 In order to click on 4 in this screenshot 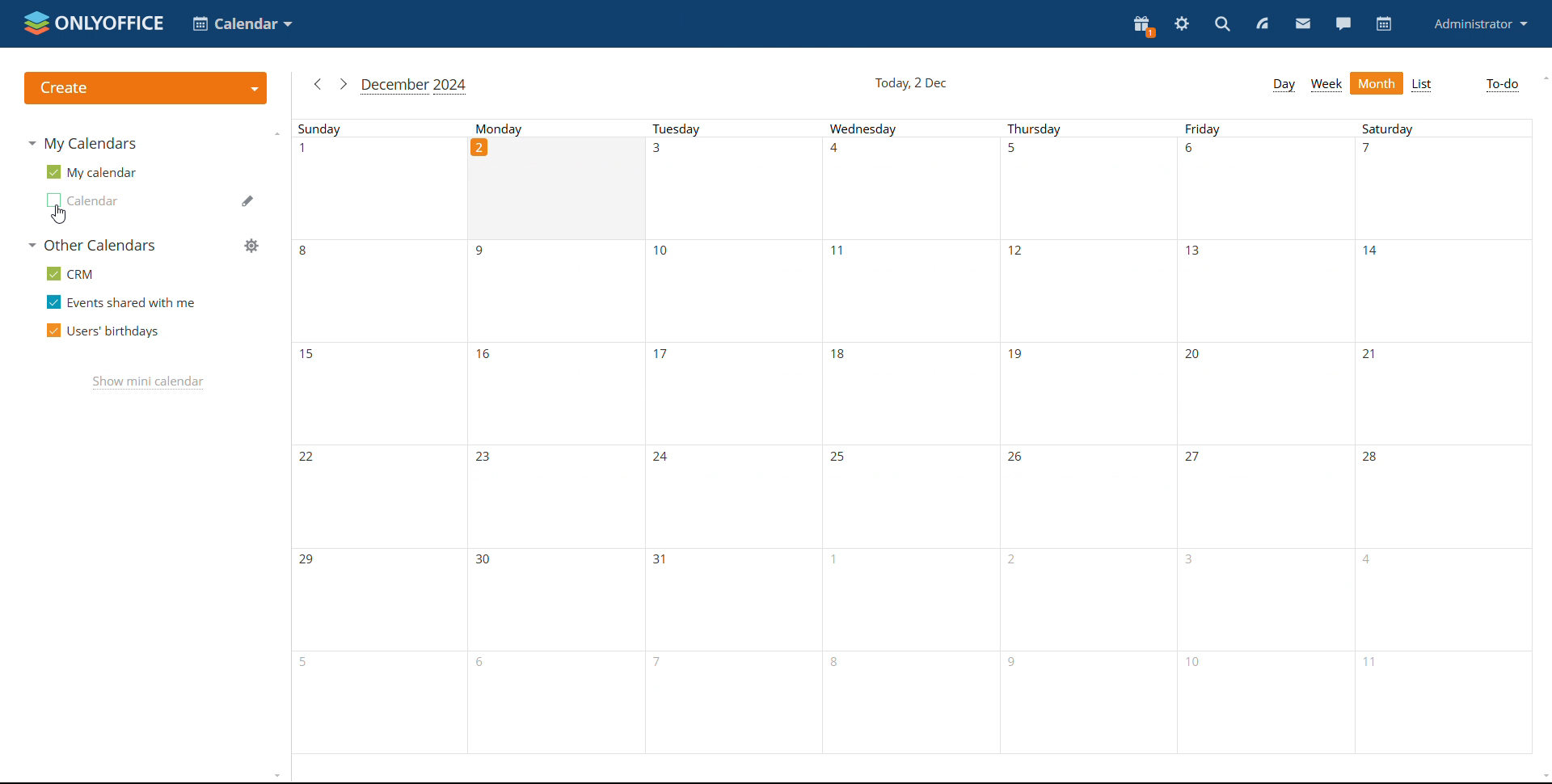, I will do `click(913, 188)`.